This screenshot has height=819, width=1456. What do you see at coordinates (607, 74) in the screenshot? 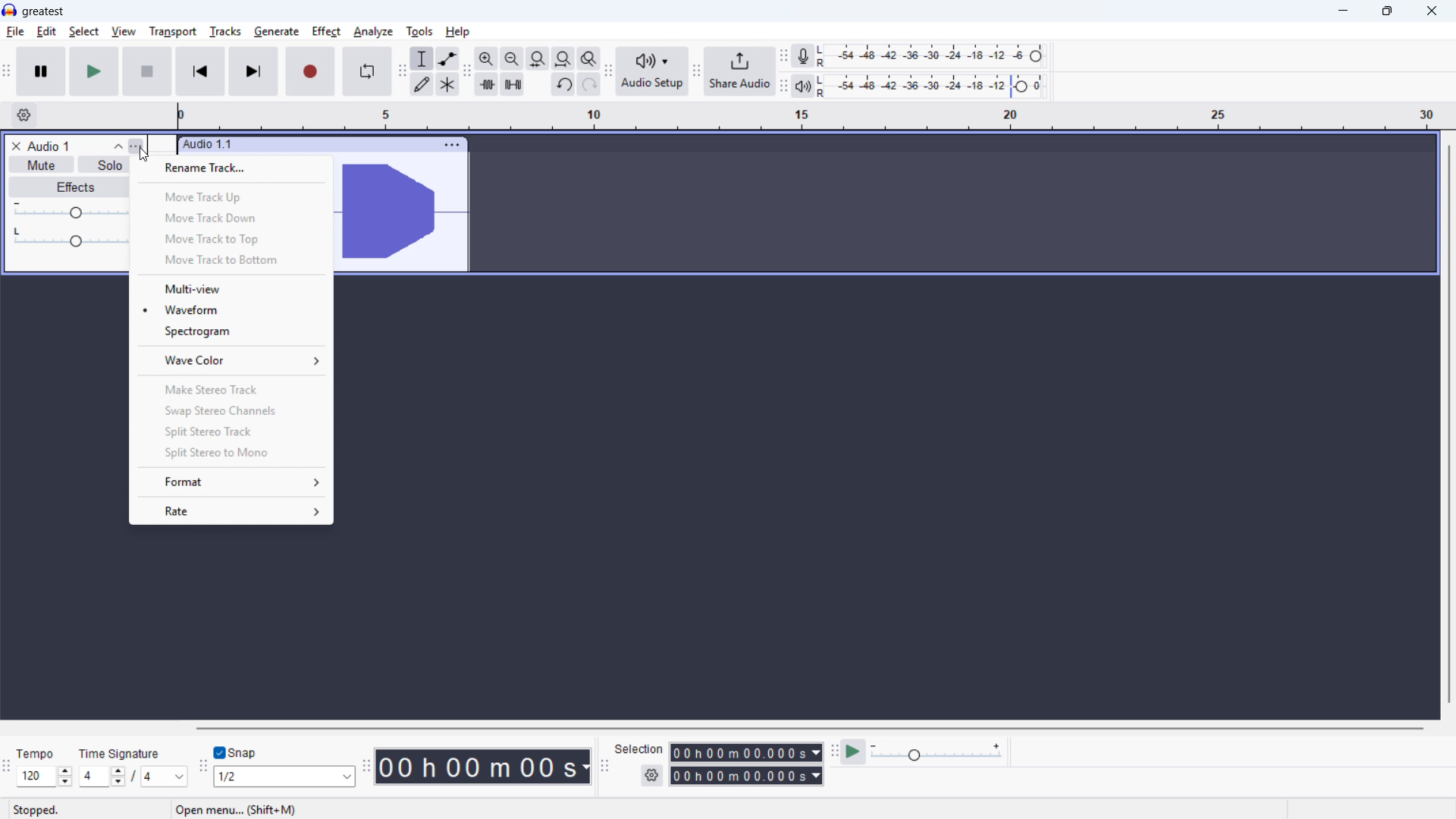
I see `audio setup toolbar` at bounding box center [607, 74].